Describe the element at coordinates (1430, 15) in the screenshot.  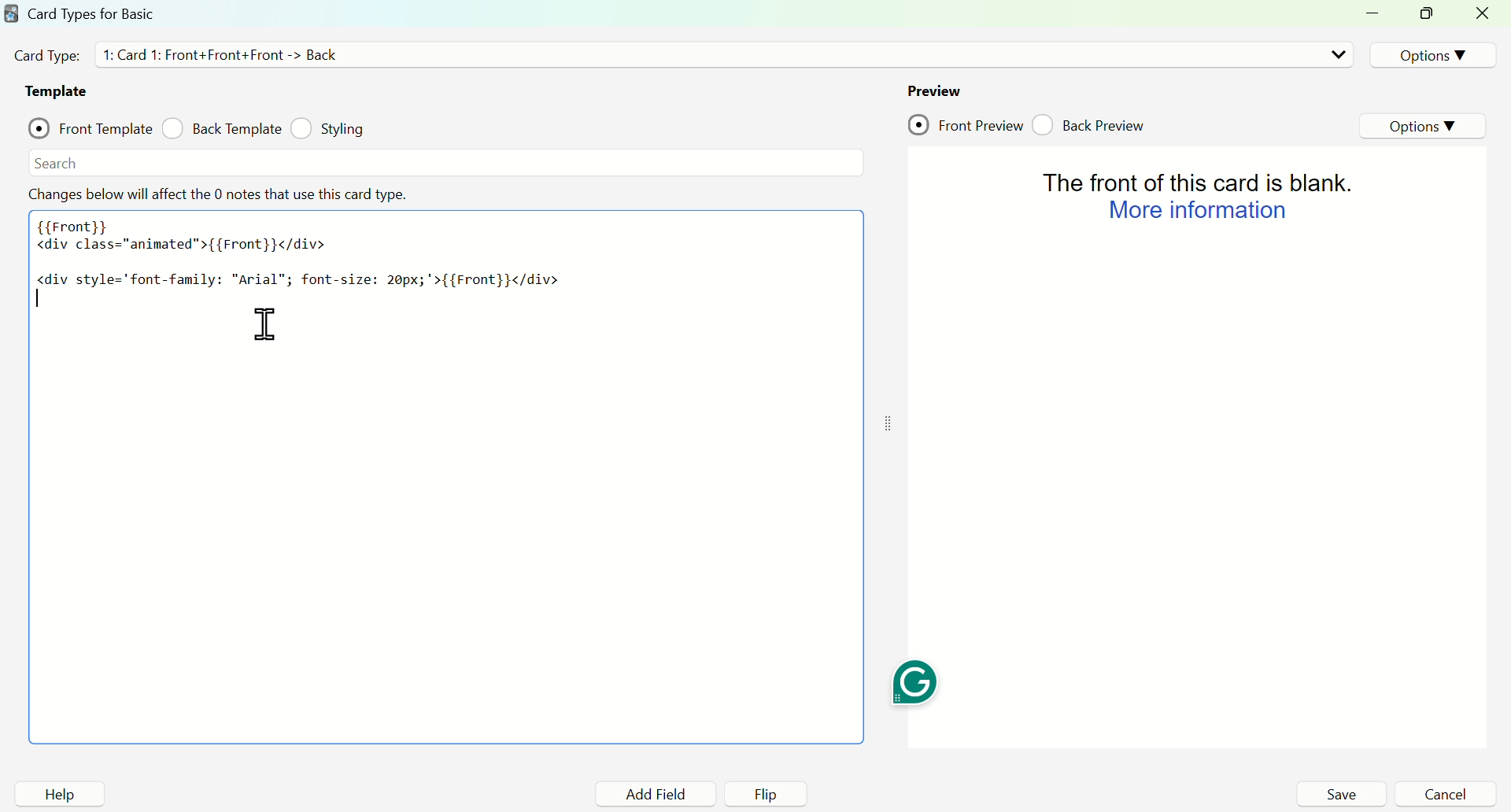
I see `resize` at that location.